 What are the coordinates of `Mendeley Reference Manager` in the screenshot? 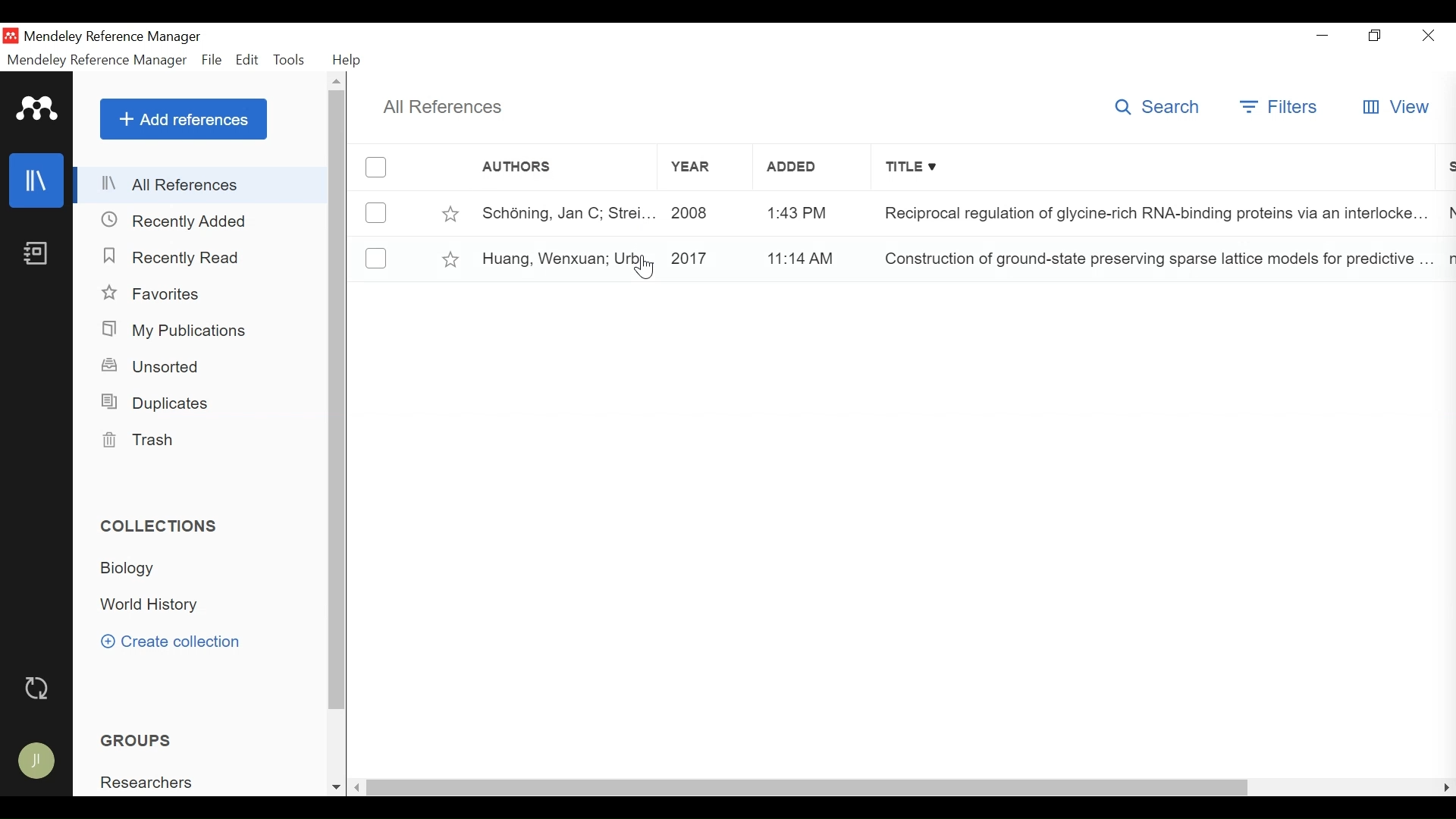 It's located at (97, 62).